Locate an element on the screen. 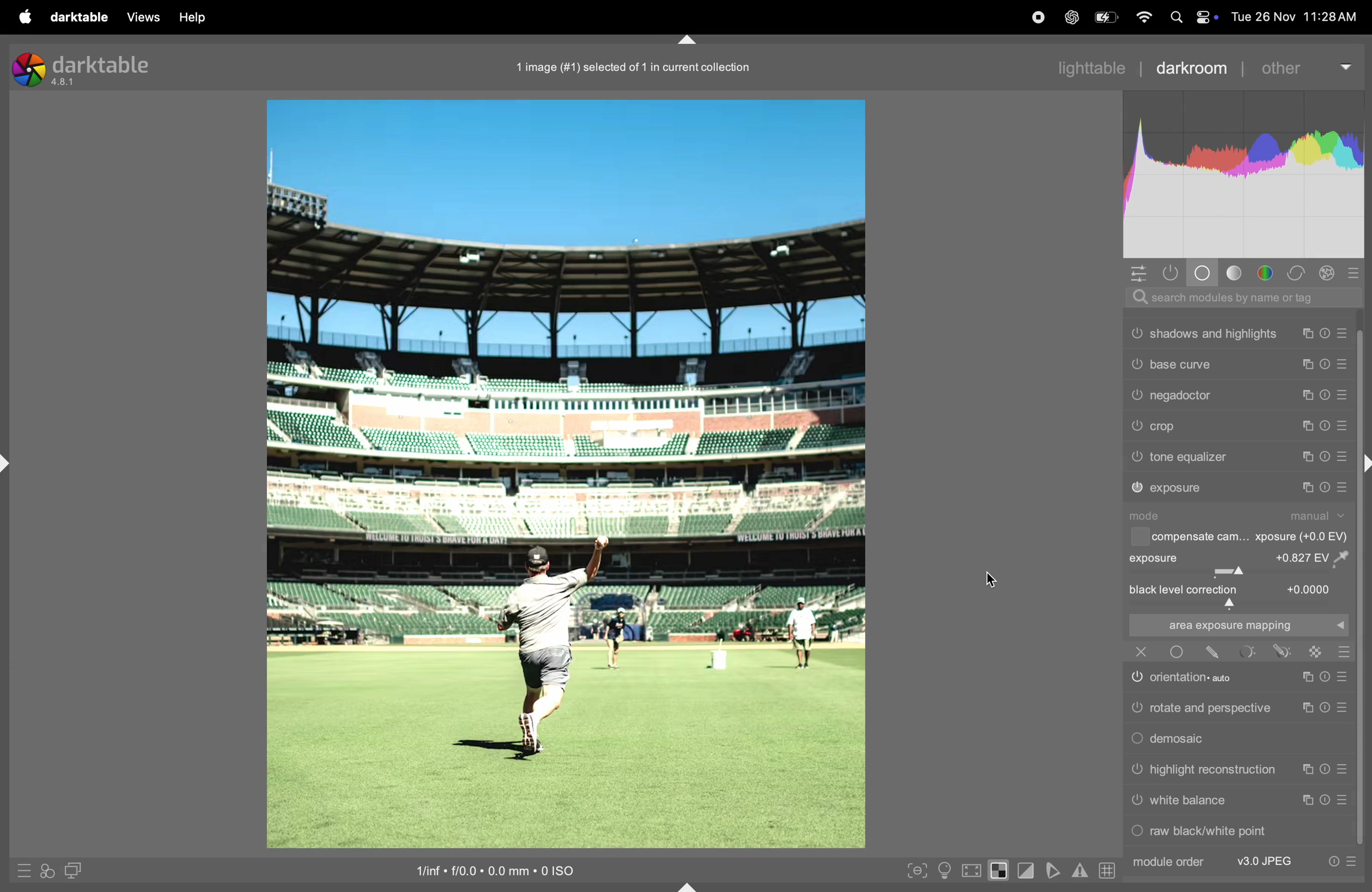 The height and width of the screenshot is (892, 1372). expand or collapse  is located at coordinates (9, 464).